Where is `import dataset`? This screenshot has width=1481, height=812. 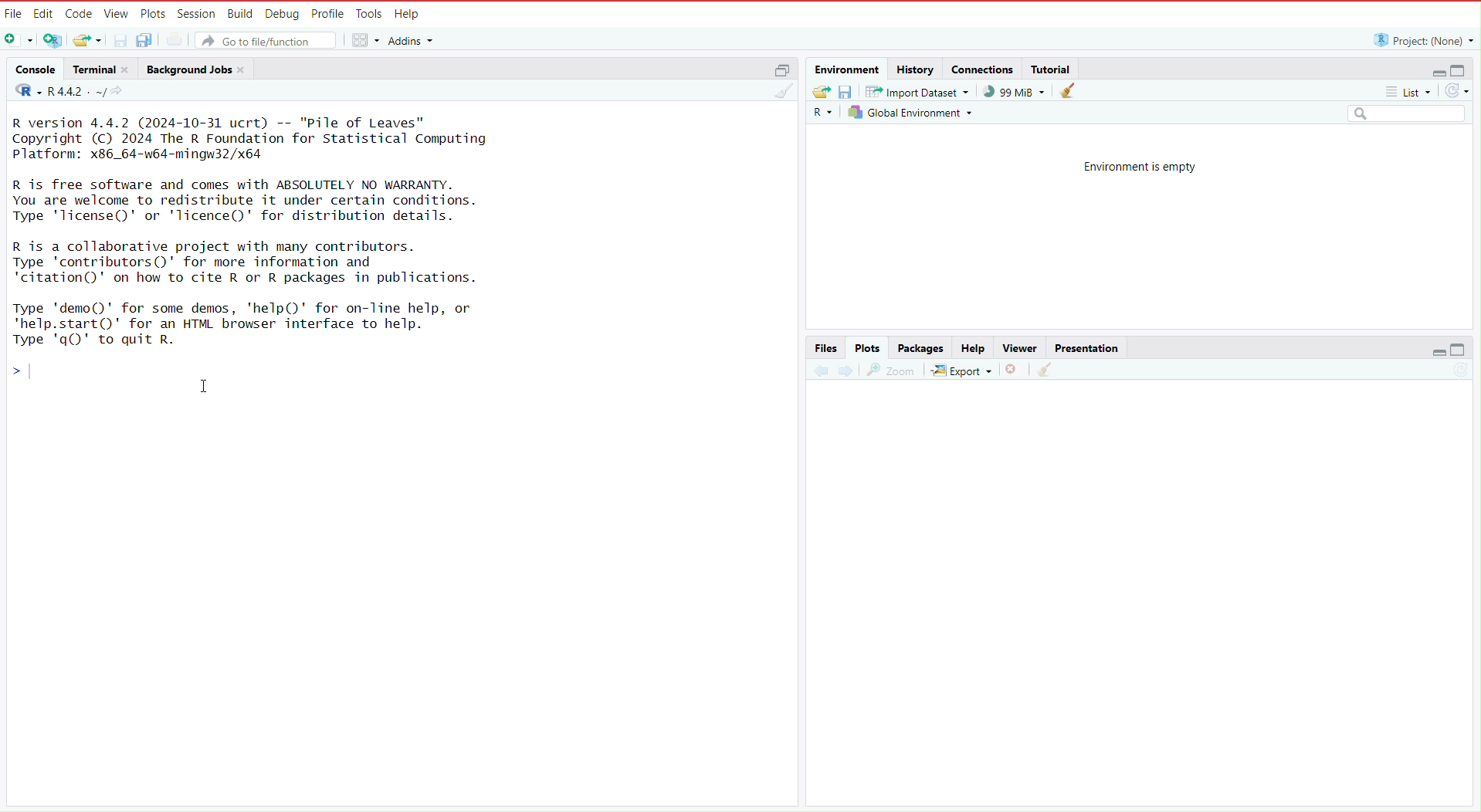 import dataset is located at coordinates (917, 93).